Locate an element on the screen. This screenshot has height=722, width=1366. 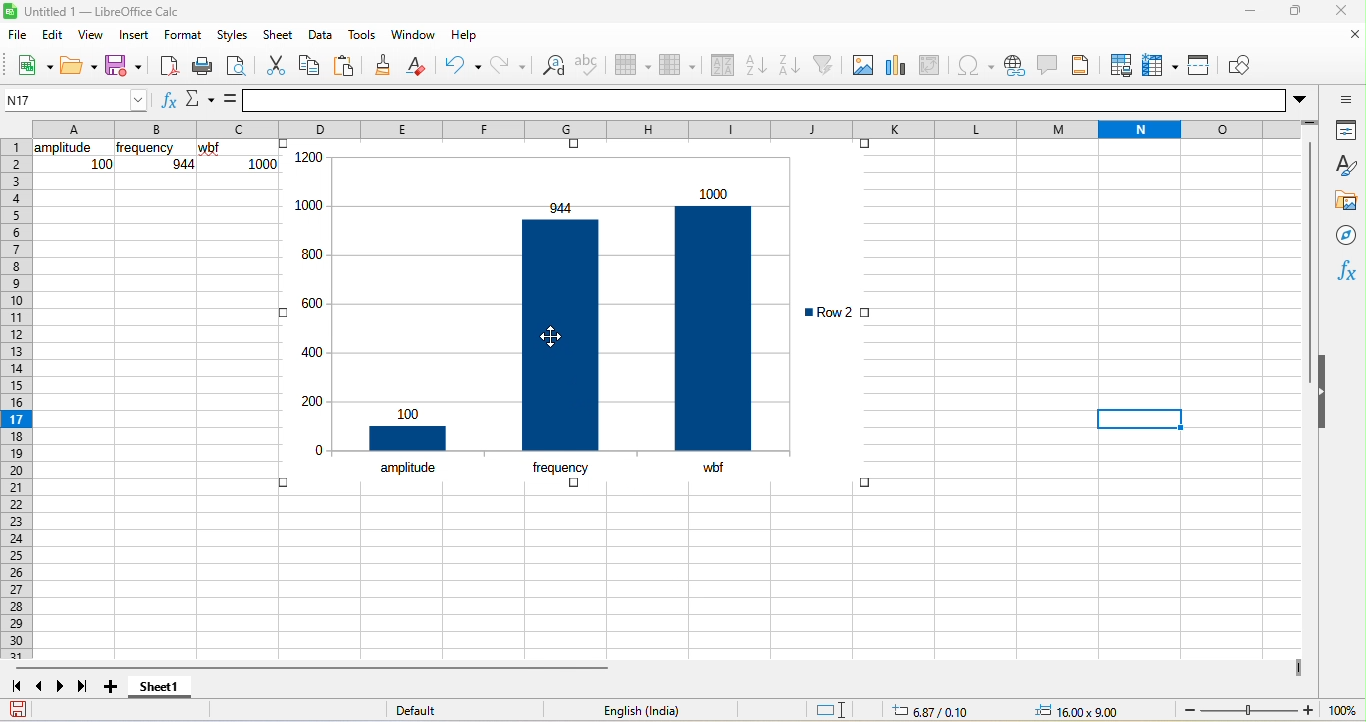
rows is located at coordinates (15, 399).